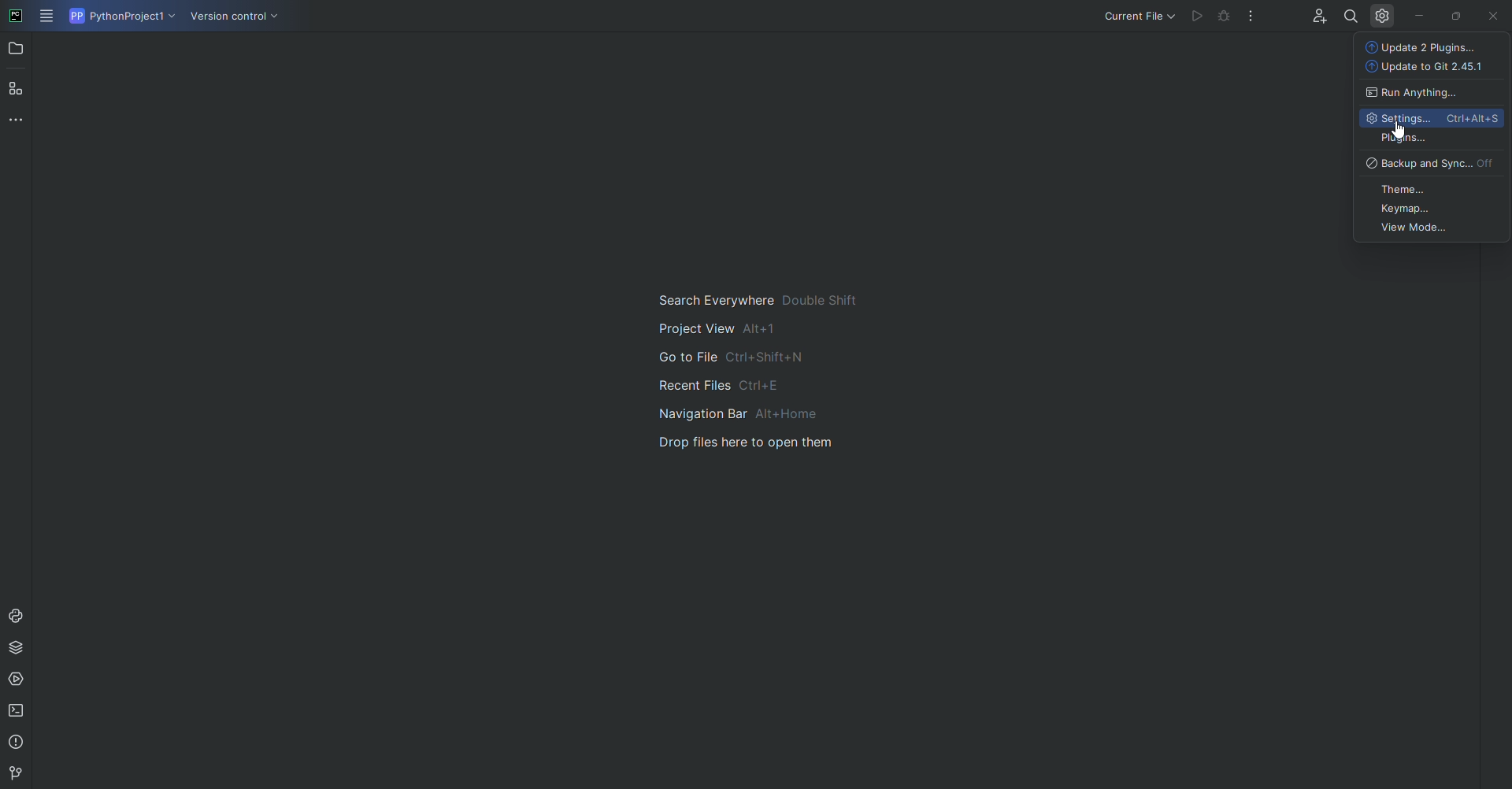 This screenshot has height=789, width=1512. What do you see at coordinates (18, 743) in the screenshot?
I see `Problems` at bounding box center [18, 743].